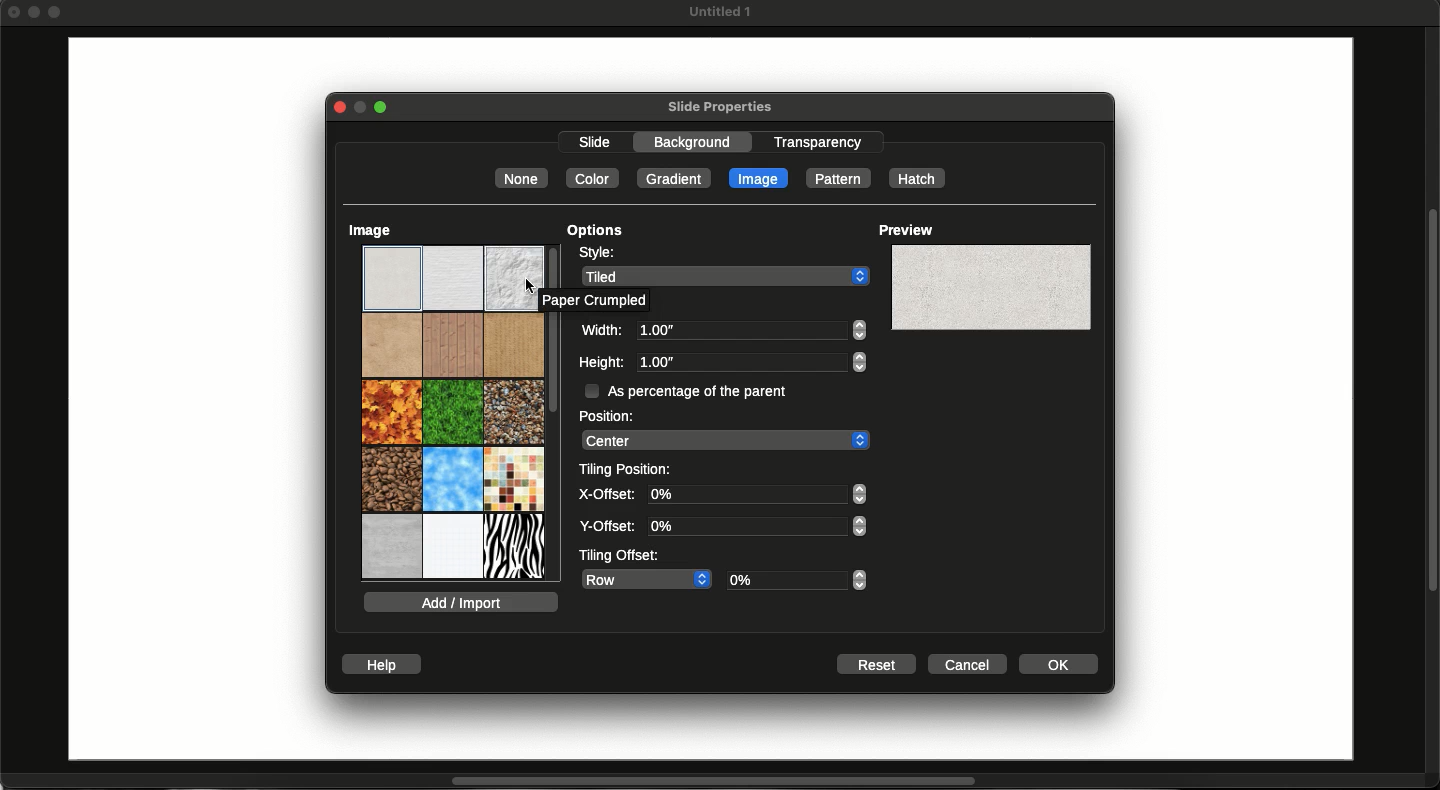 This screenshot has width=1440, height=790. Describe the element at coordinates (608, 527) in the screenshot. I see `Y-offset:` at that location.